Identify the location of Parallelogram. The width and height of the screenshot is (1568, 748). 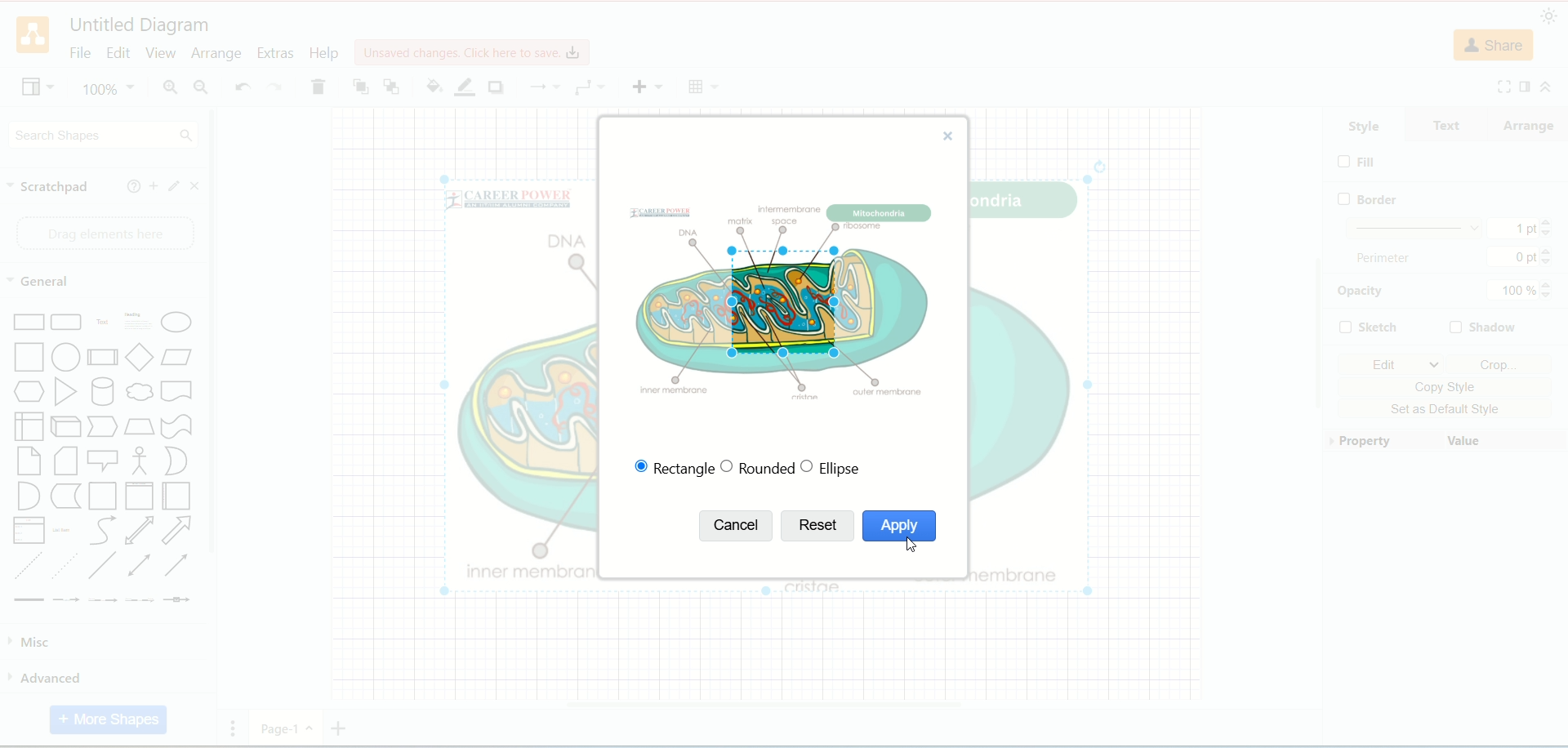
(180, 359).